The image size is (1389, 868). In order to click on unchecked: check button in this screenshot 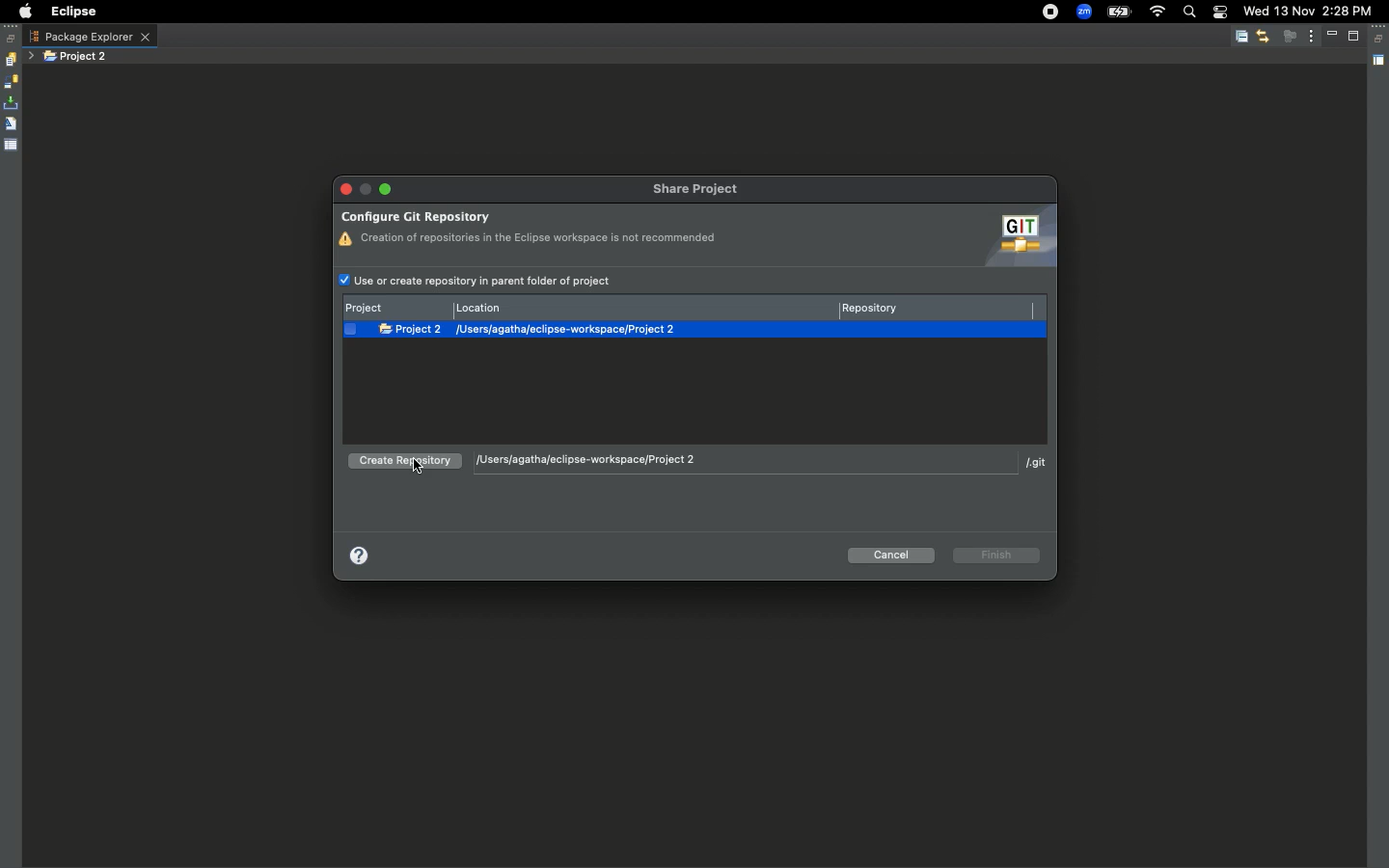, I will do `click(350, 330)`.